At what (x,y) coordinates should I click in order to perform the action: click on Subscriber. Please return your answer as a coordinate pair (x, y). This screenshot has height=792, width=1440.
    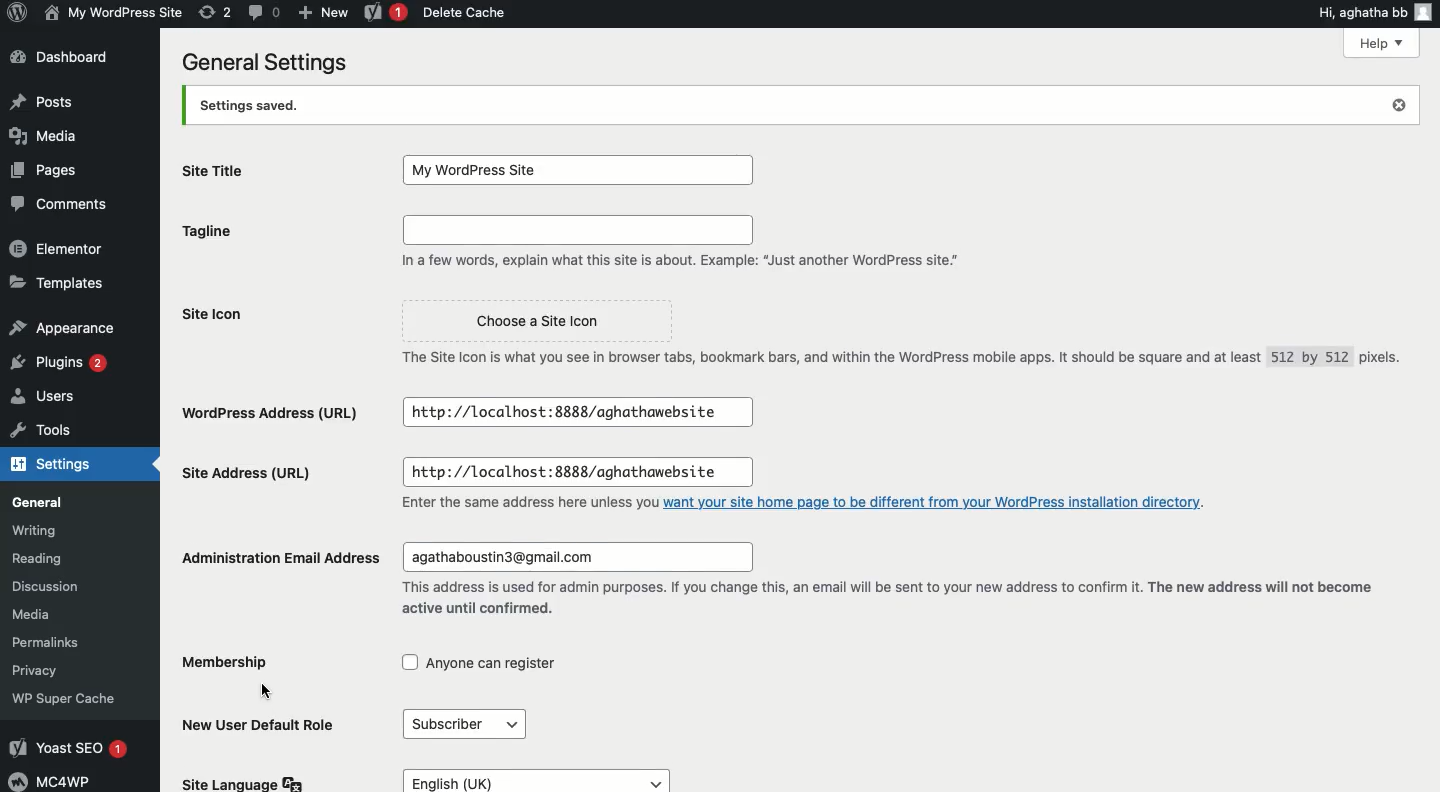
    Looking at the image, I should click on (462, 724).